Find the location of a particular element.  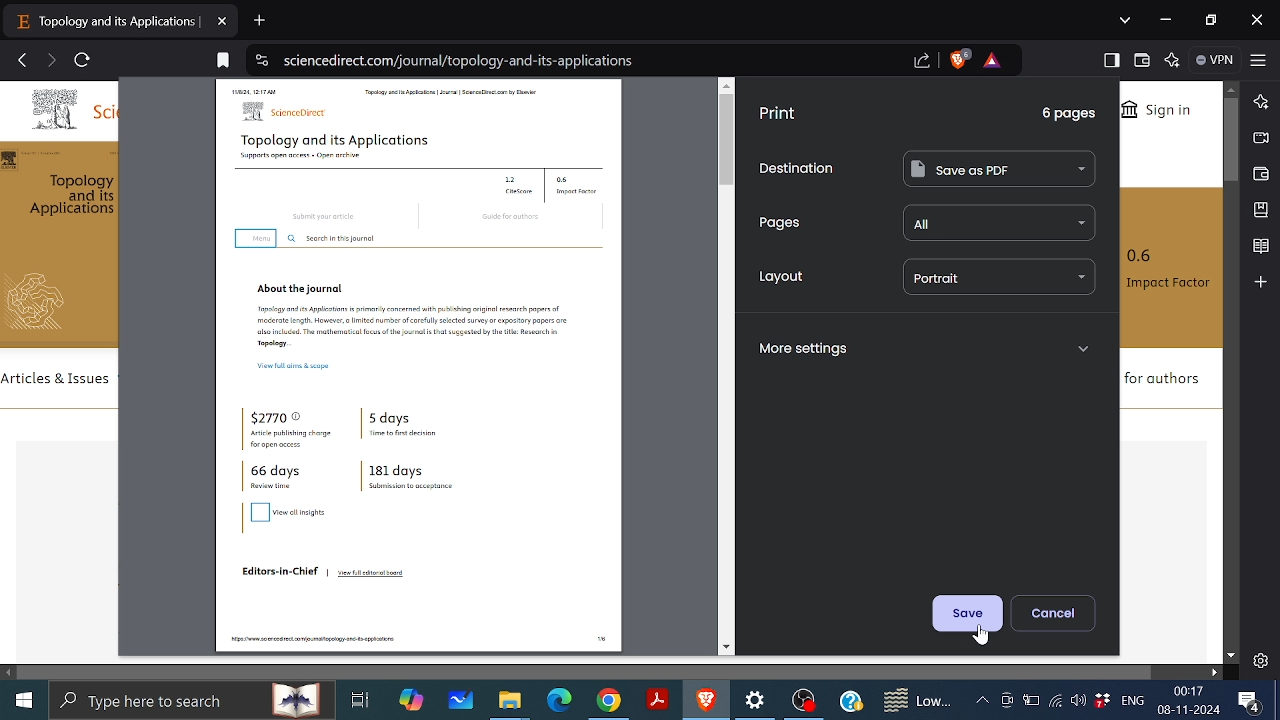

sciencedirect.com/journal/topology-and-its-applications is located at coordinates (457, 60).